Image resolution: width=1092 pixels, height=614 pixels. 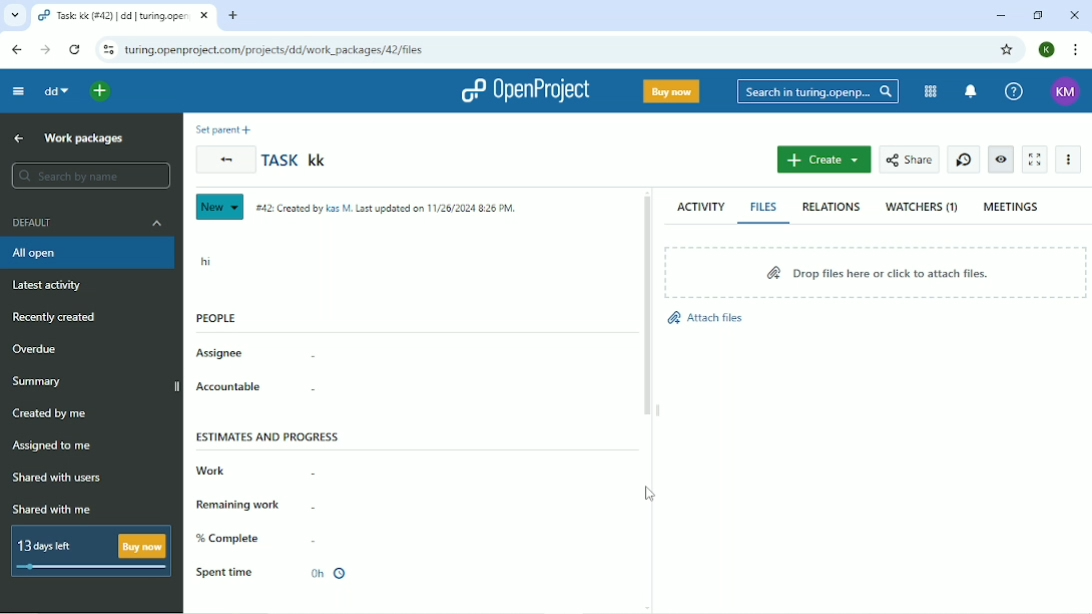 I want to click on Customize and control google chrome, so click(x=1074, y=50).